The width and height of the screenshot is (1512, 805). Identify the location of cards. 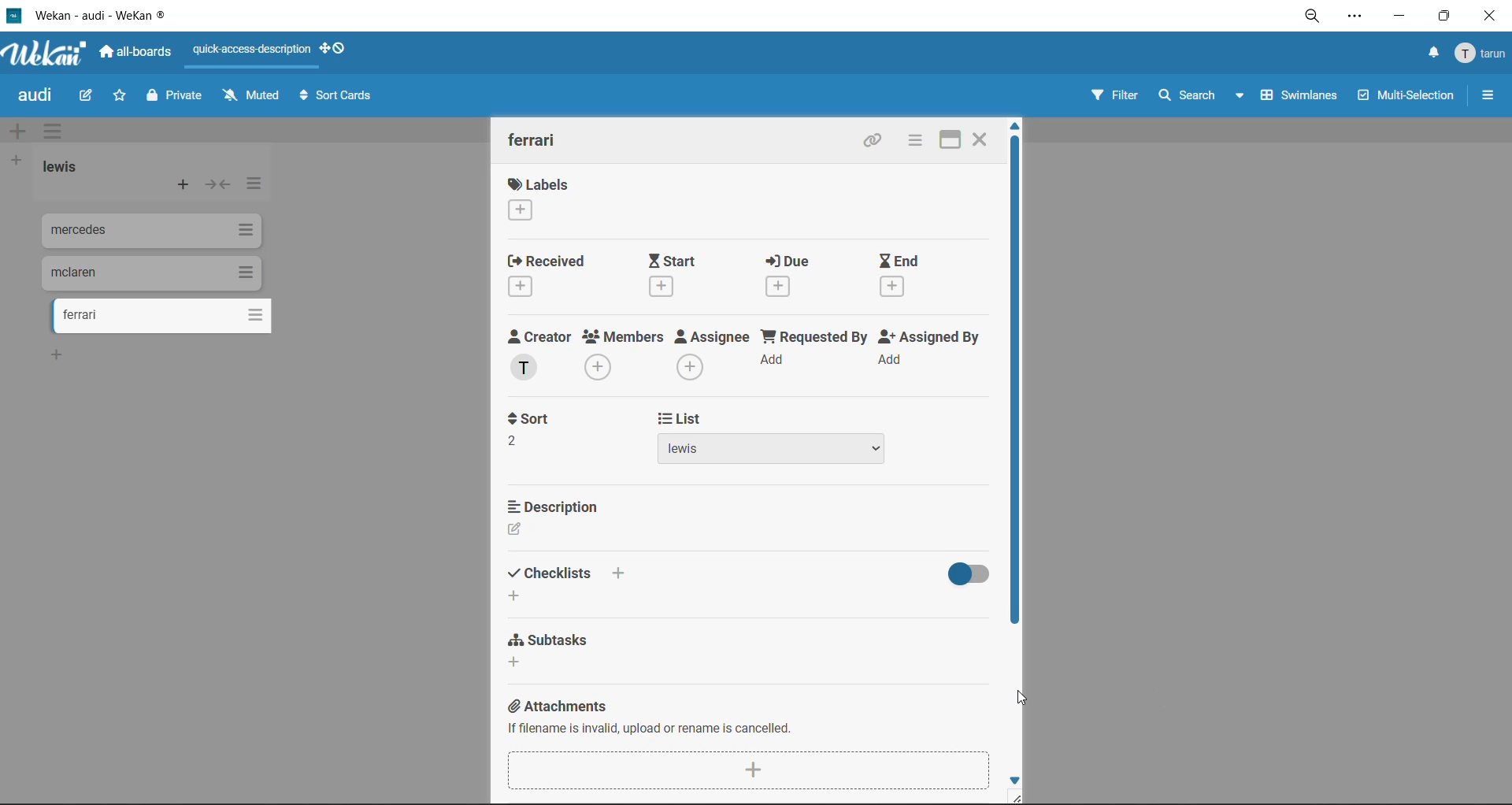
(147, 231).